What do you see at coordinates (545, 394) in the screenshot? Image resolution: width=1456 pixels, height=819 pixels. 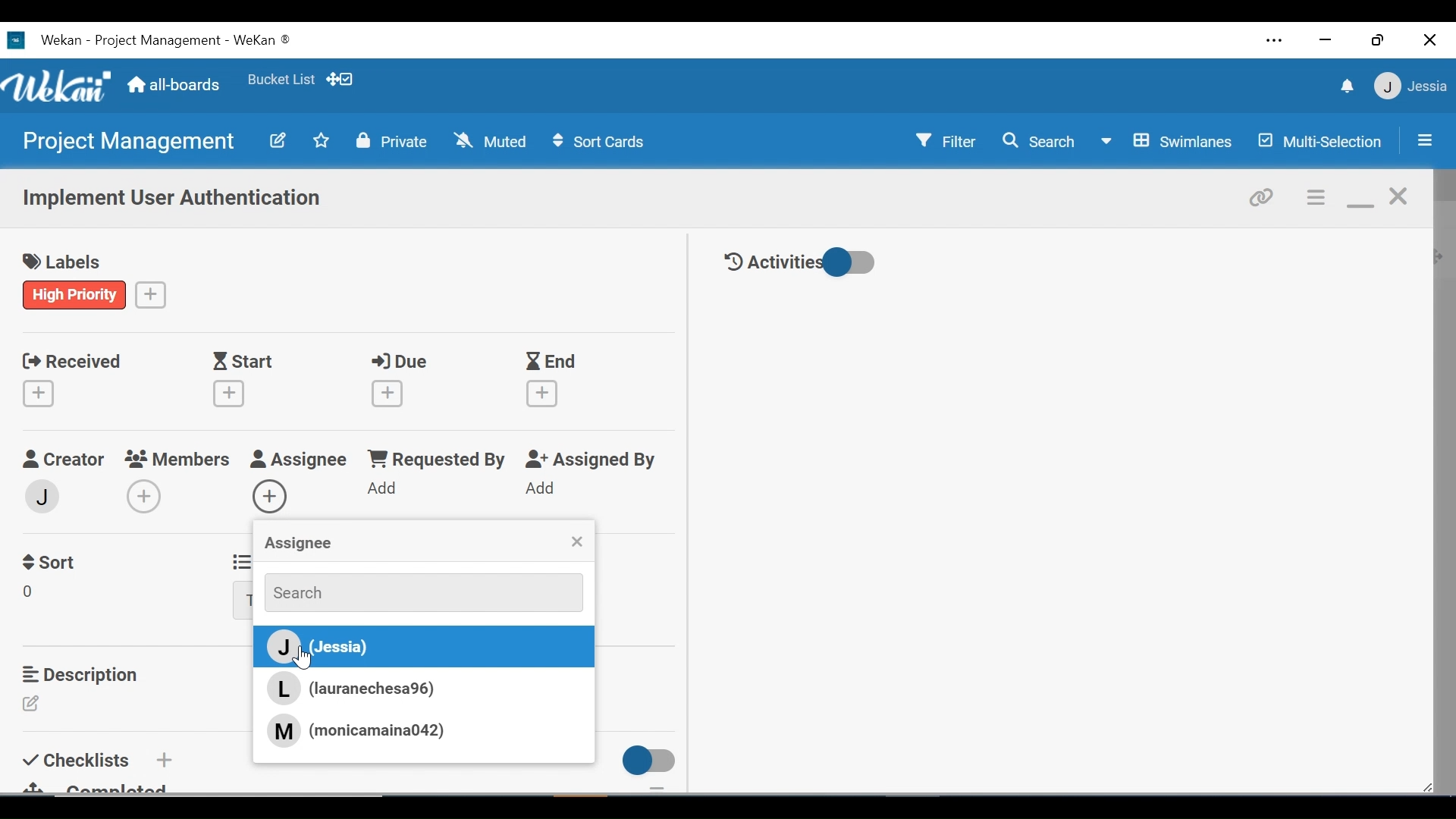 I see `createEnd Date` at bounding box center [545, 394].